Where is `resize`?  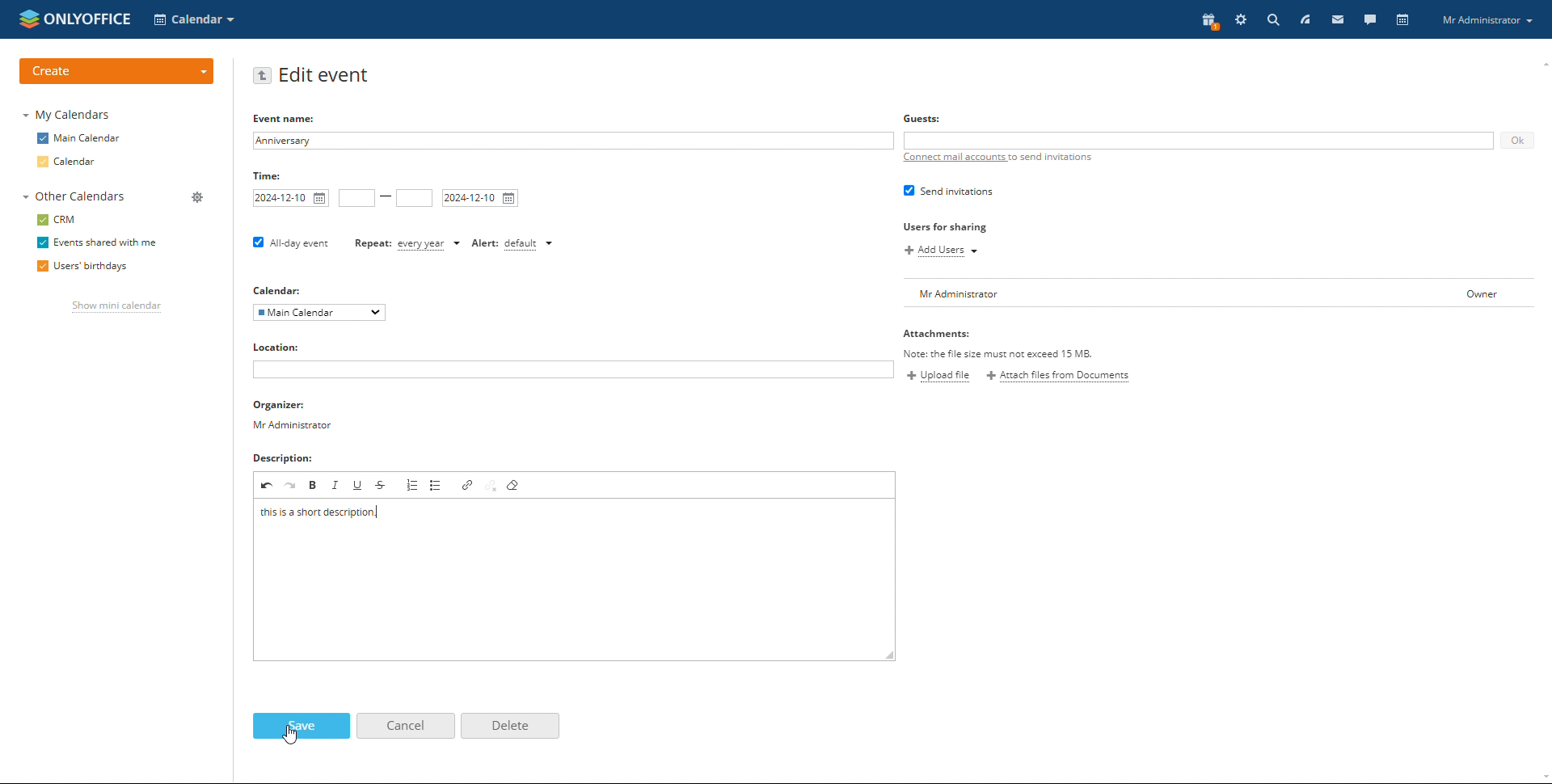 resize is located at coordinates (890, 654).